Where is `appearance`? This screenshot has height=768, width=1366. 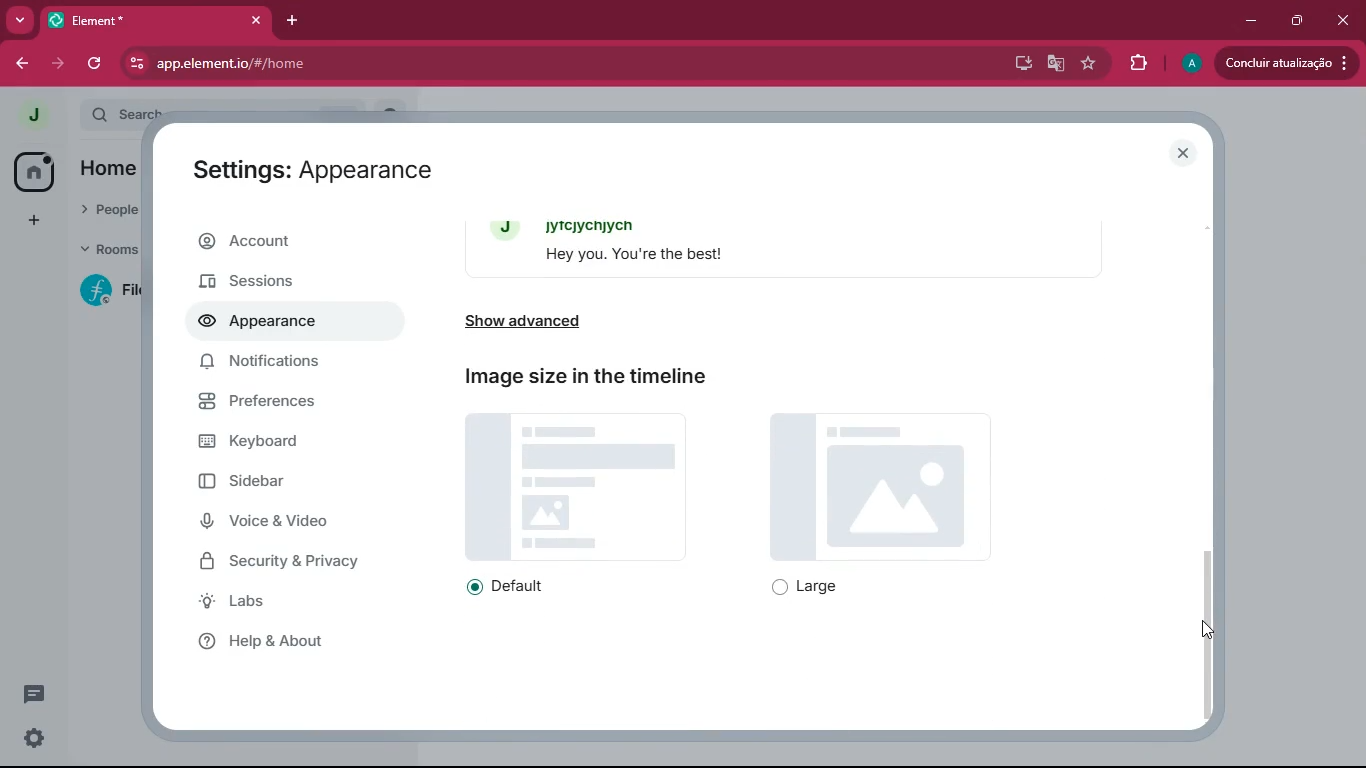
appearance is located at coordinates (266, 324).